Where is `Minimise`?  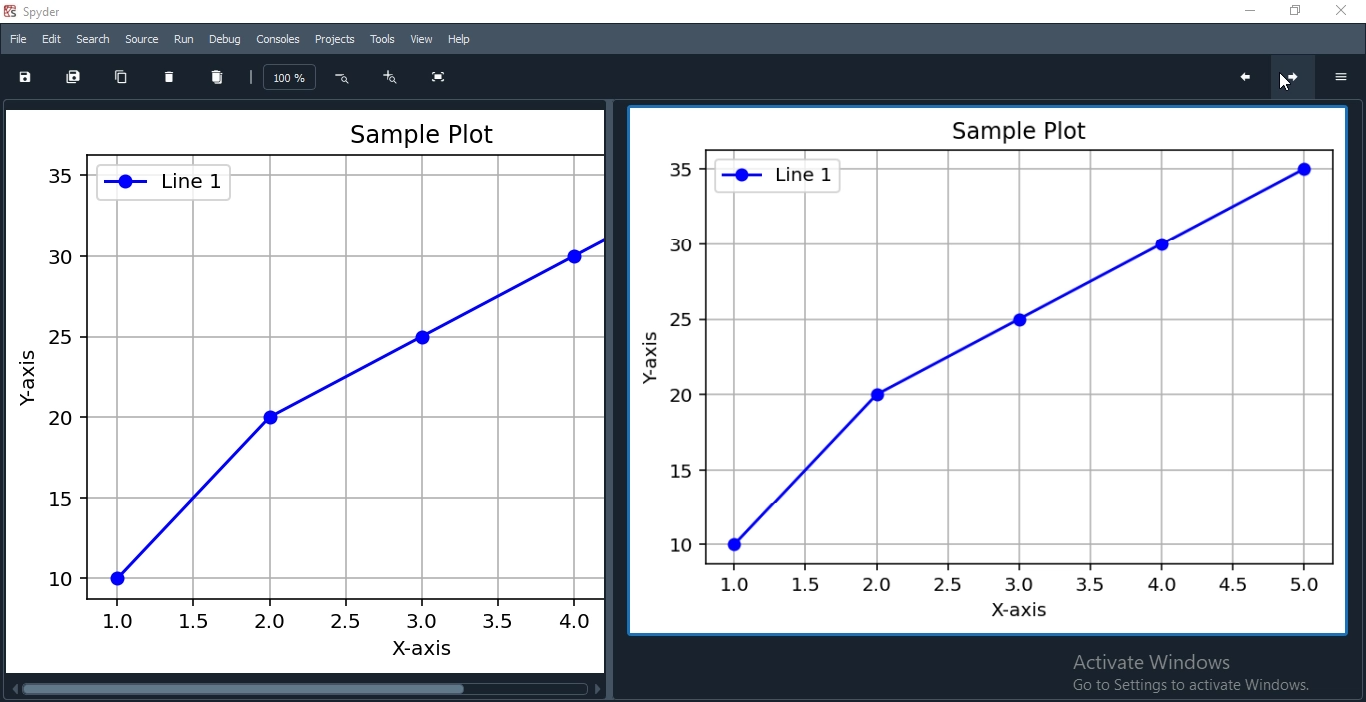 Minimise is located at coordinates (1239, 11).